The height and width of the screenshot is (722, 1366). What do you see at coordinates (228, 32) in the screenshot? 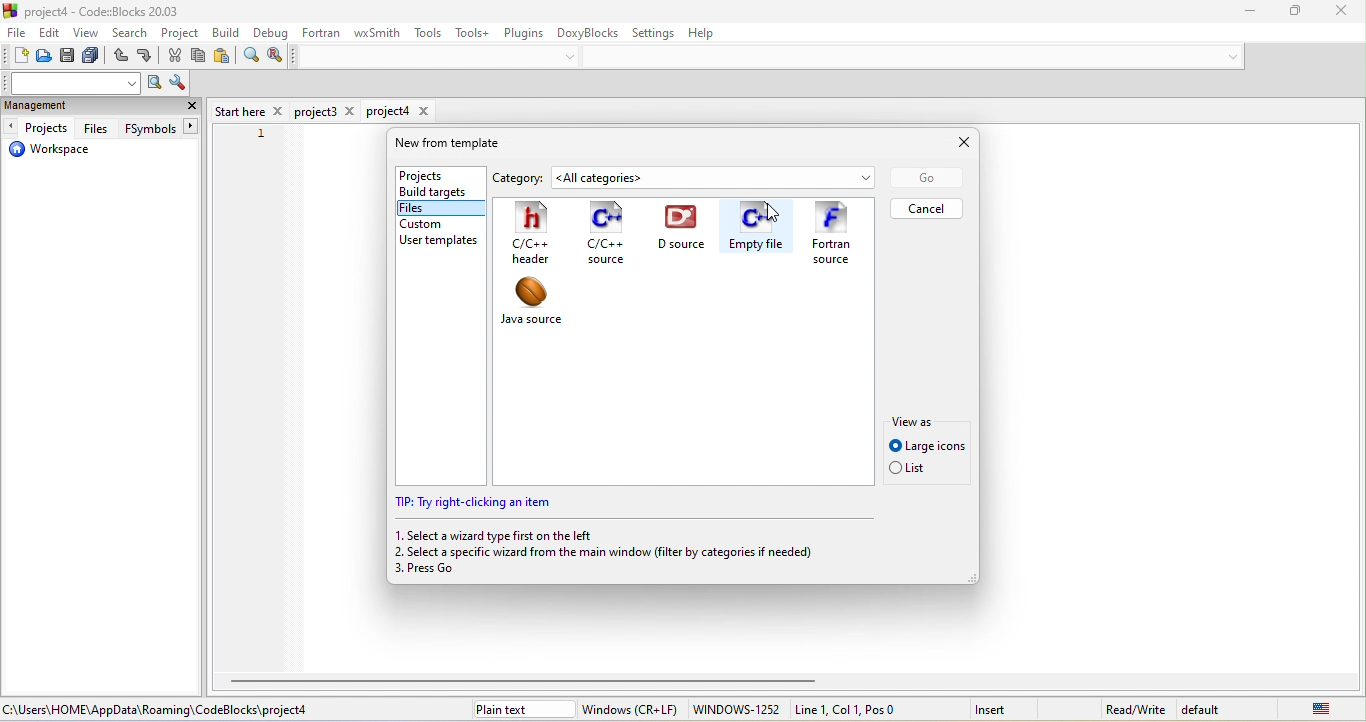
I see `build` at bounding box center [228, 32].